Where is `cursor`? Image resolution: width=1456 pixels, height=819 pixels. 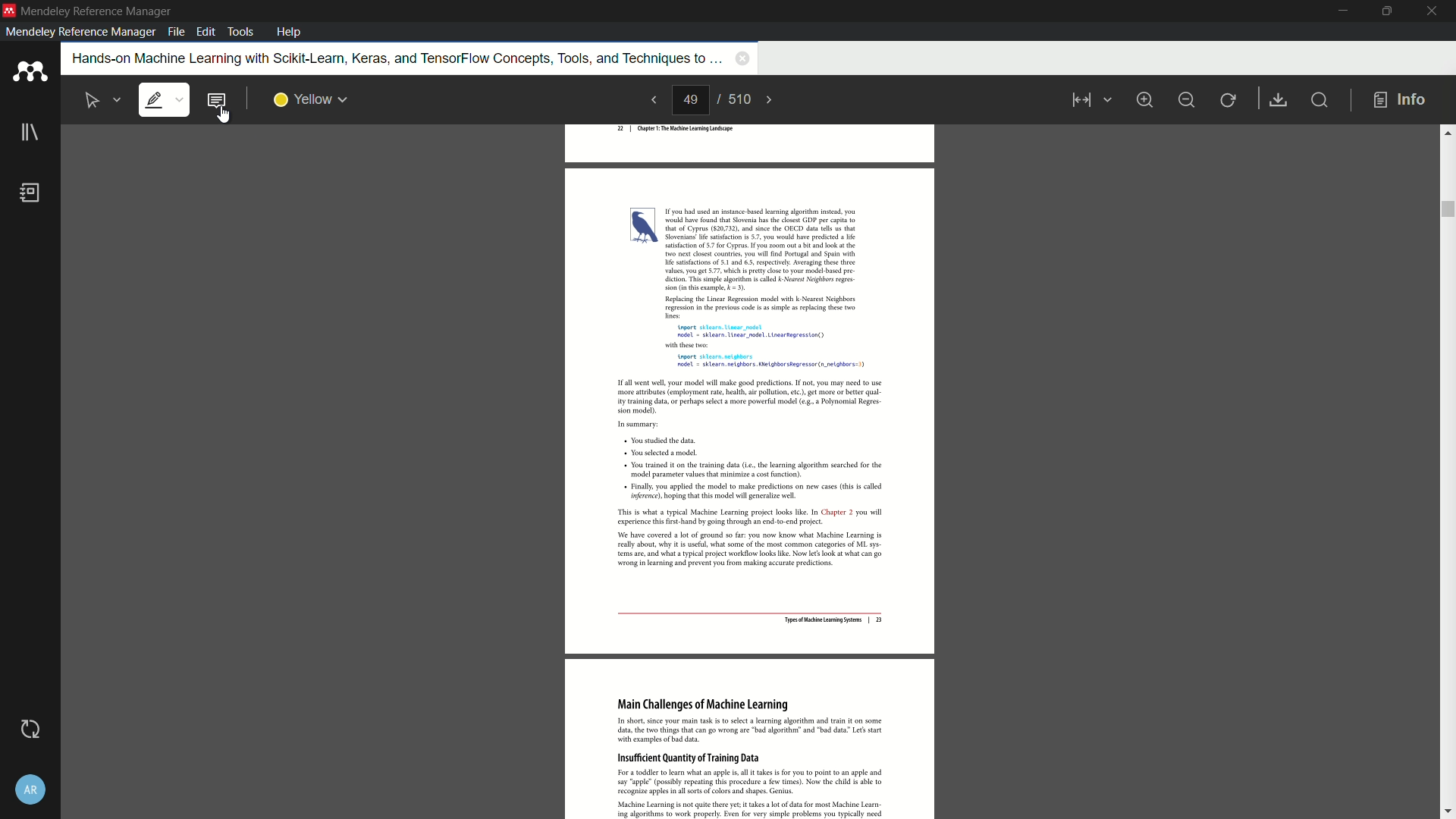 cursor is located at coordinates (224, 119).